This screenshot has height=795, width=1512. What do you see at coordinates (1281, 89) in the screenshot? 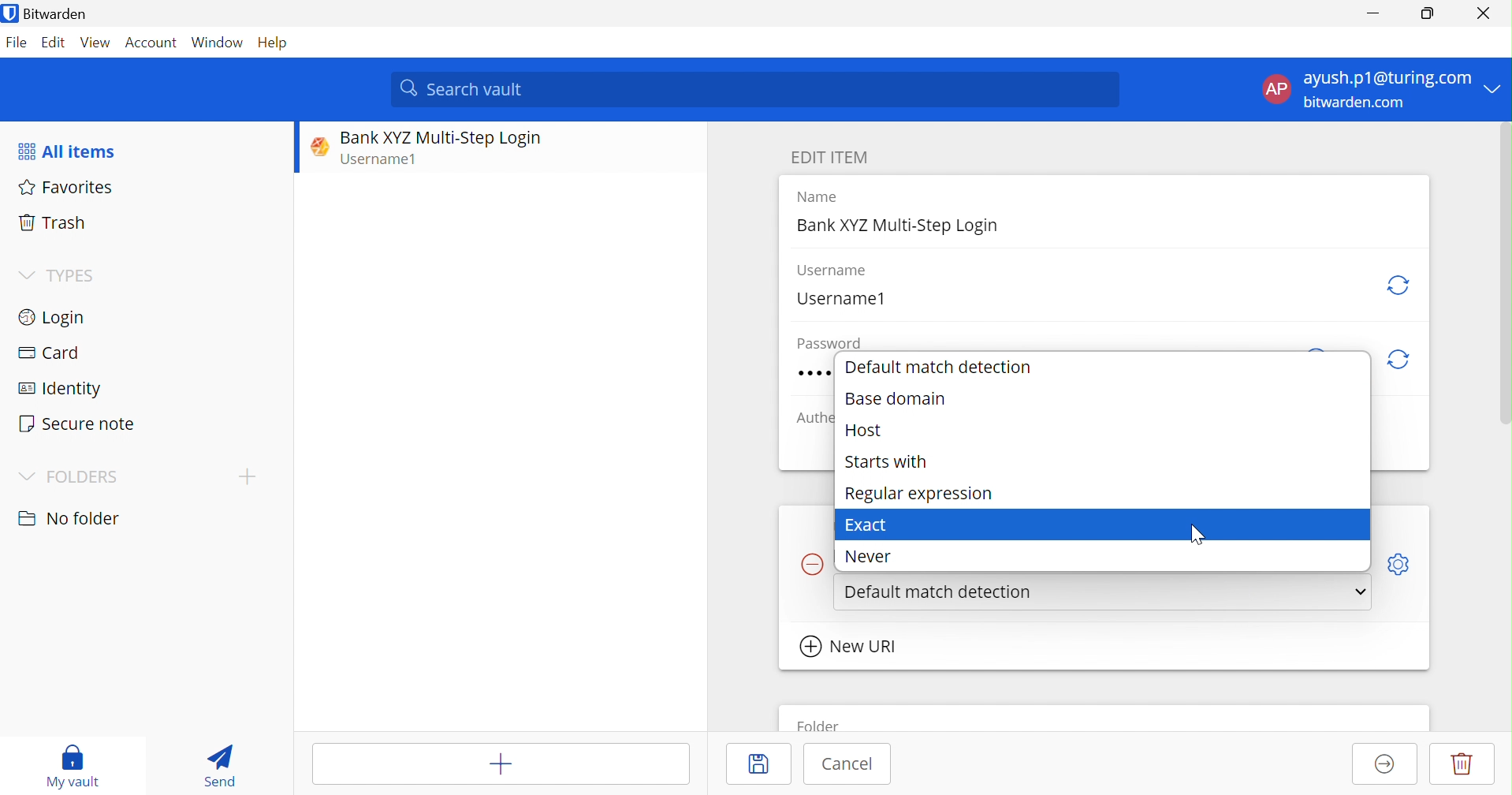
I see `AP` at bounding box center [1281, 89].